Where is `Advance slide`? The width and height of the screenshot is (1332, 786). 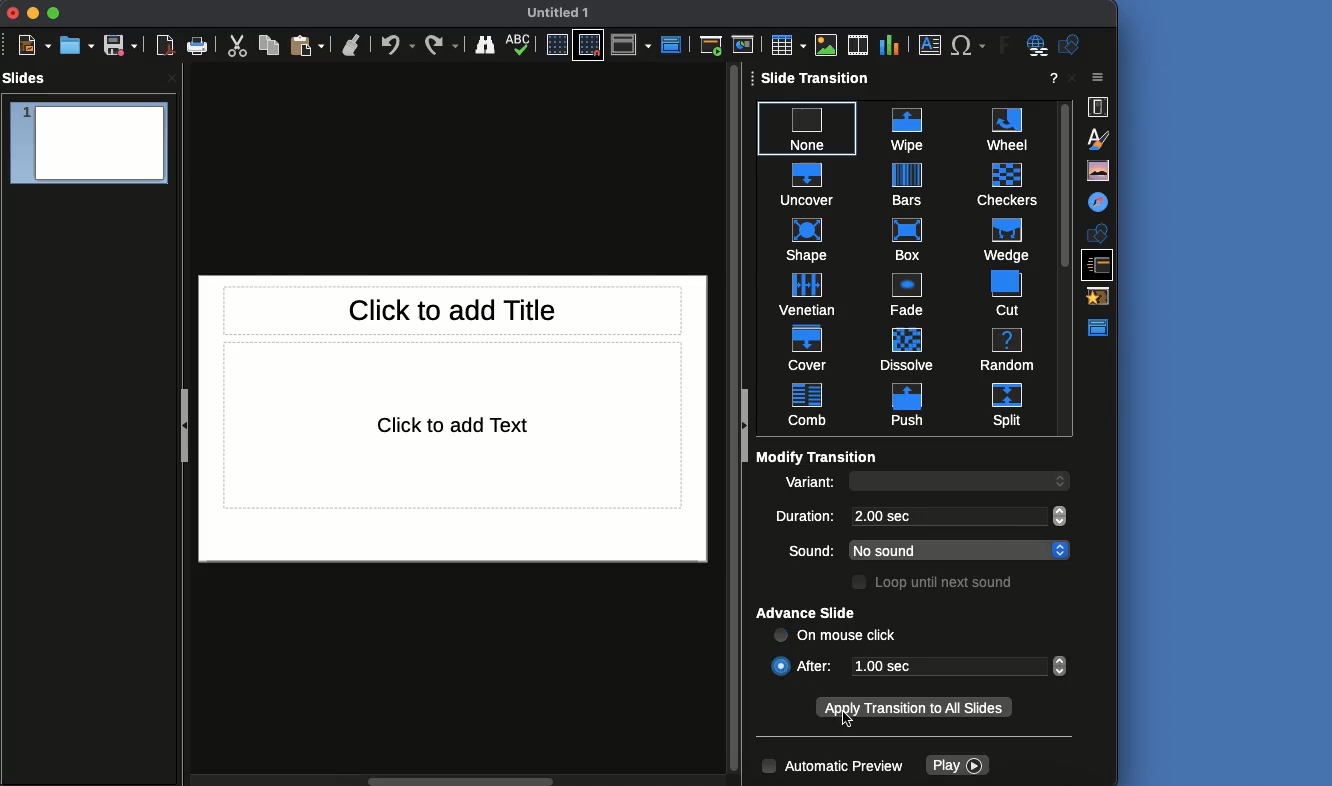 Advance slide is located at coordinates (809, 614).